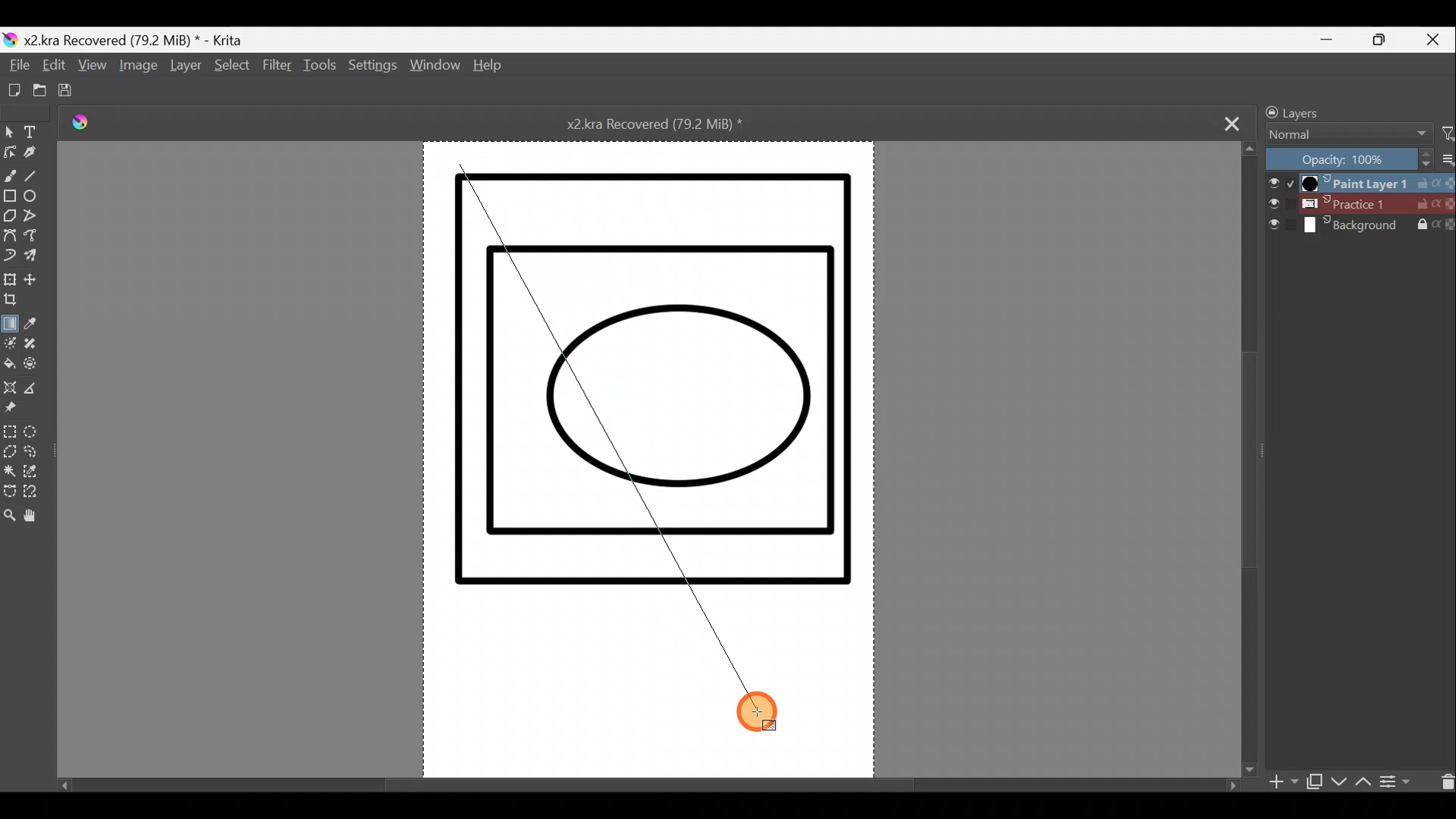 The image size is (1456, 819). Describe the element at coordinates (36, 240) in the screenshot. I see `Freehand path tool` at that location.